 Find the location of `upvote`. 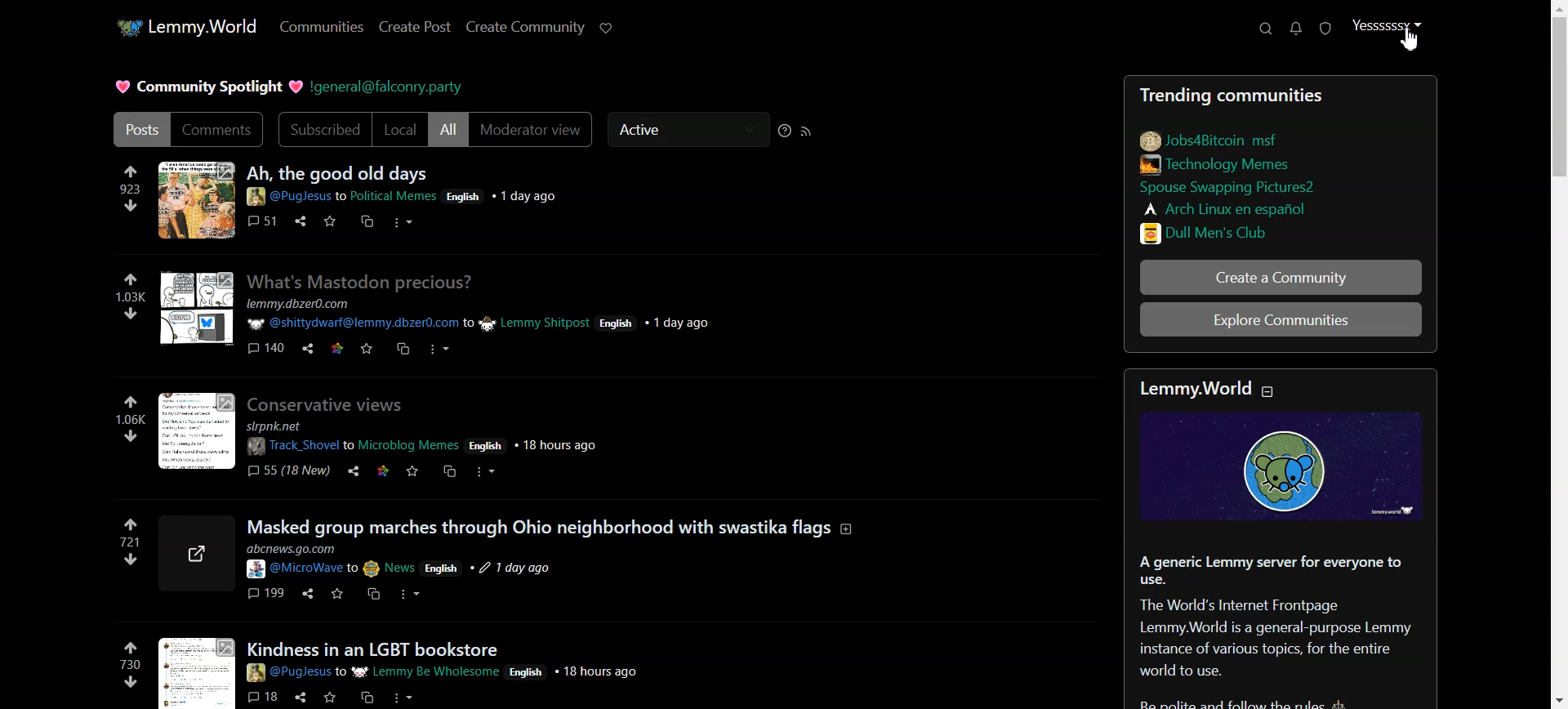

upvote is located at coordinates (132, 645).